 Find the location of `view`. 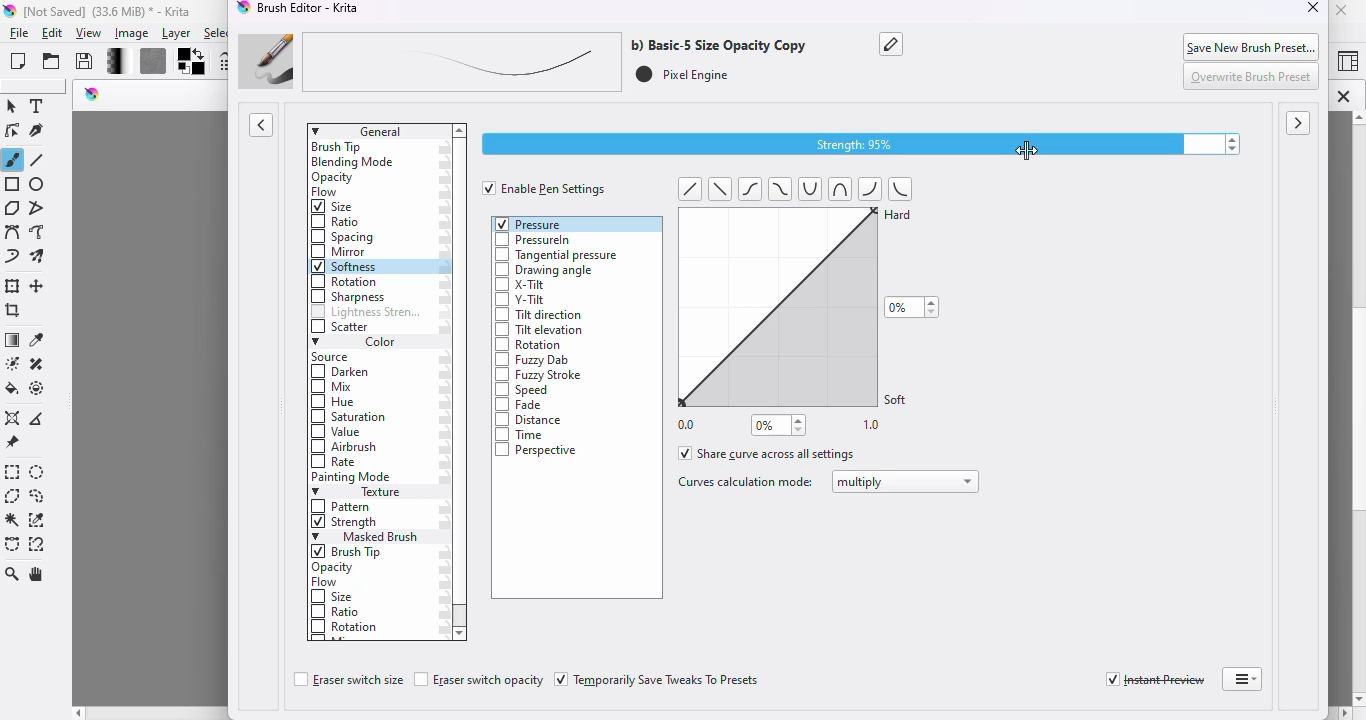

view is located at coordinates (90, 34).